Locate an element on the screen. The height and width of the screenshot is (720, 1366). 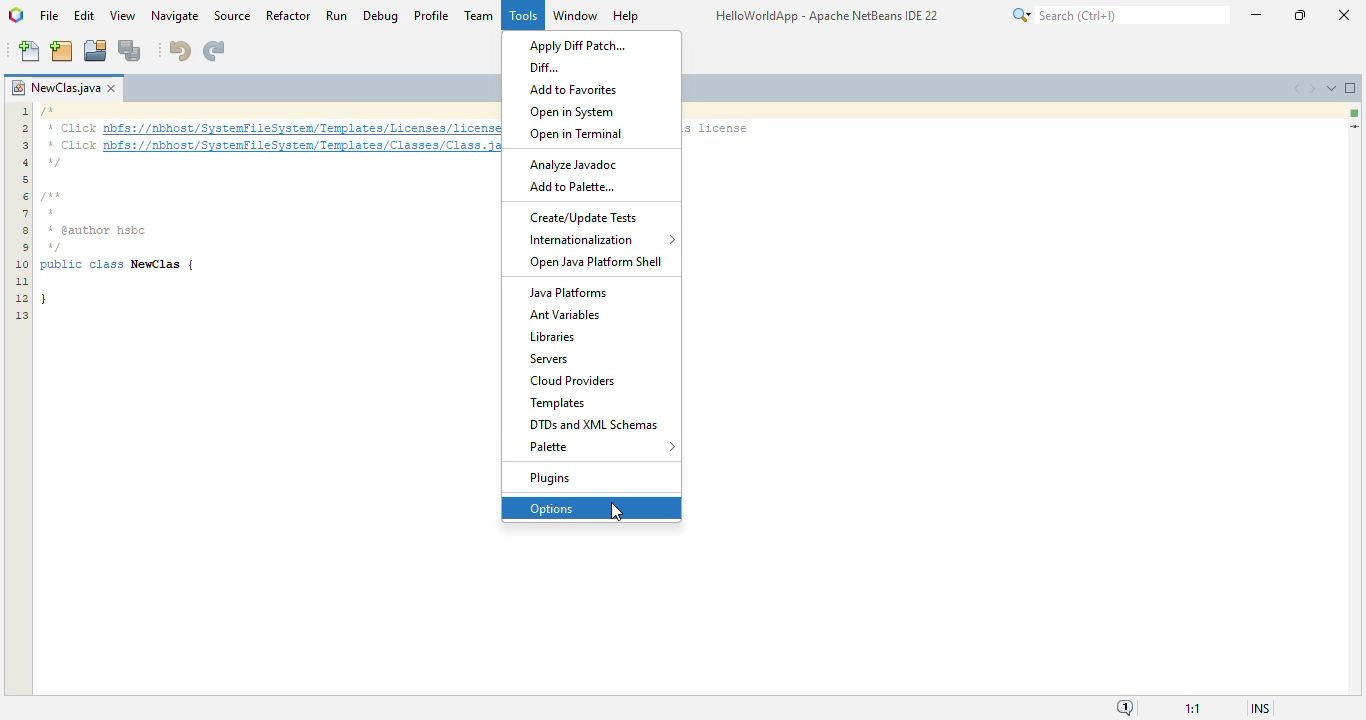
run is located at coordinates (336, 15).